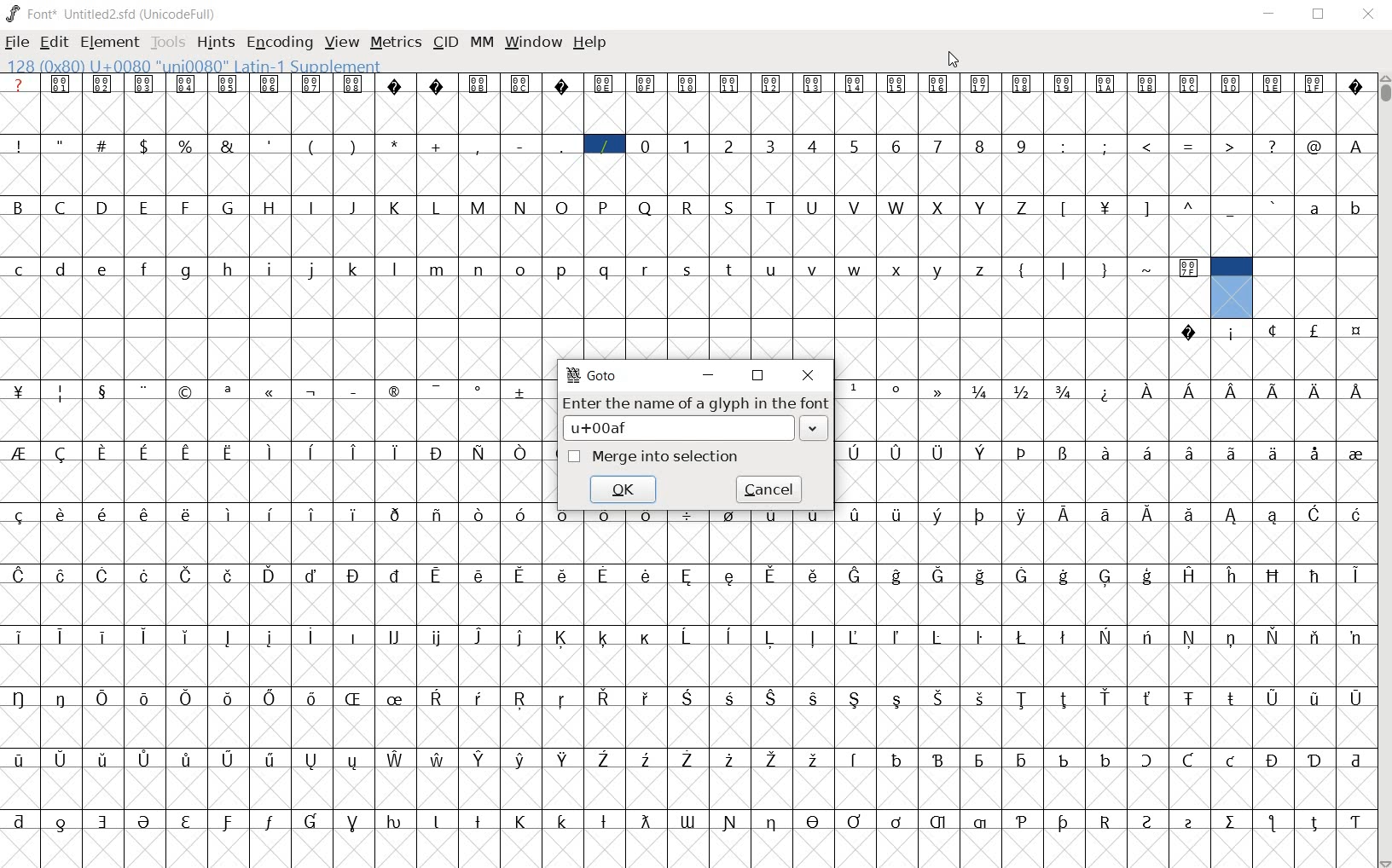  What do you see at coordinates (229, 390) in the screenshot?
I see `Symbol` at bounding box center [229, 390].